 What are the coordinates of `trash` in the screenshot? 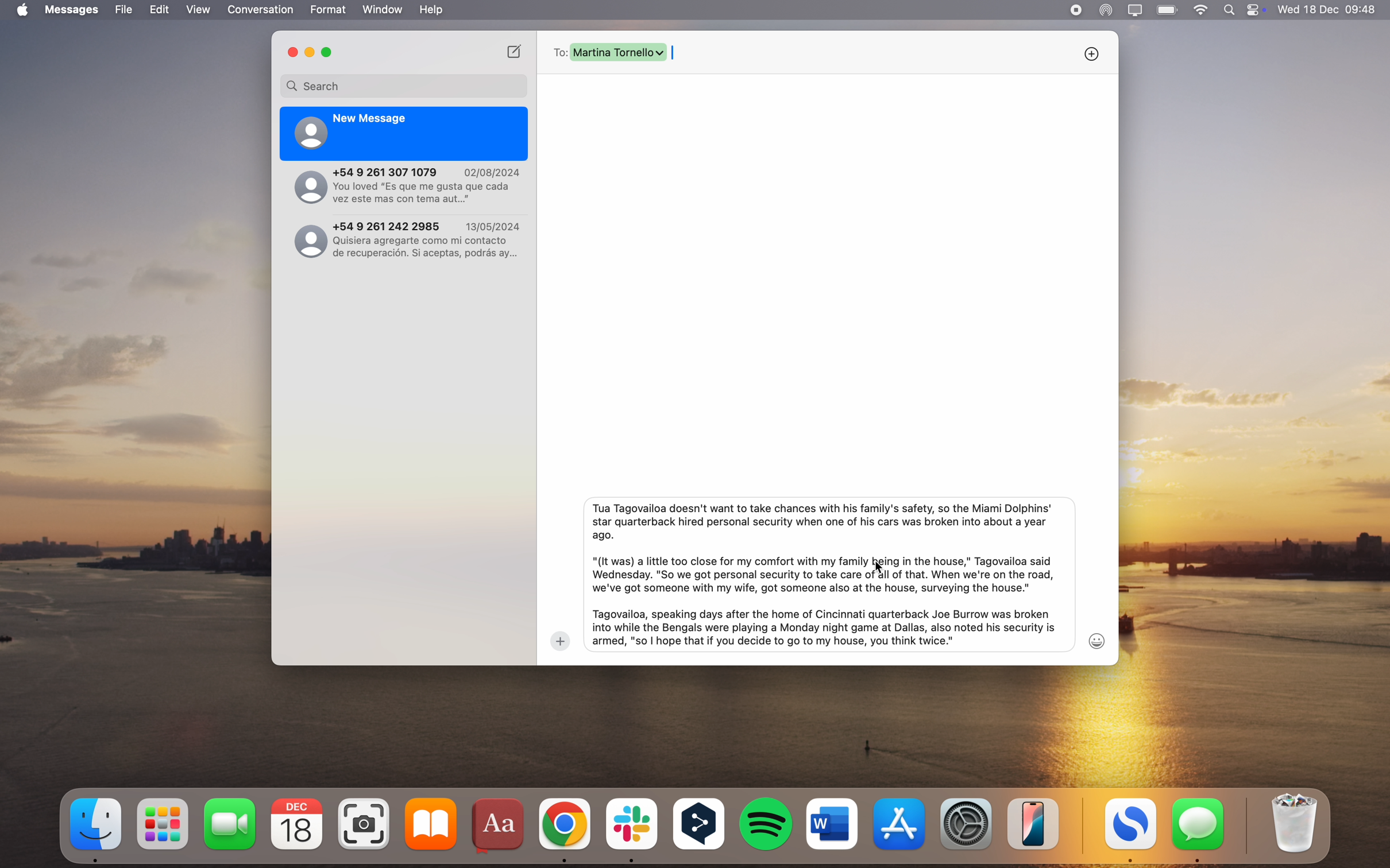 It's located at (1292, 824).